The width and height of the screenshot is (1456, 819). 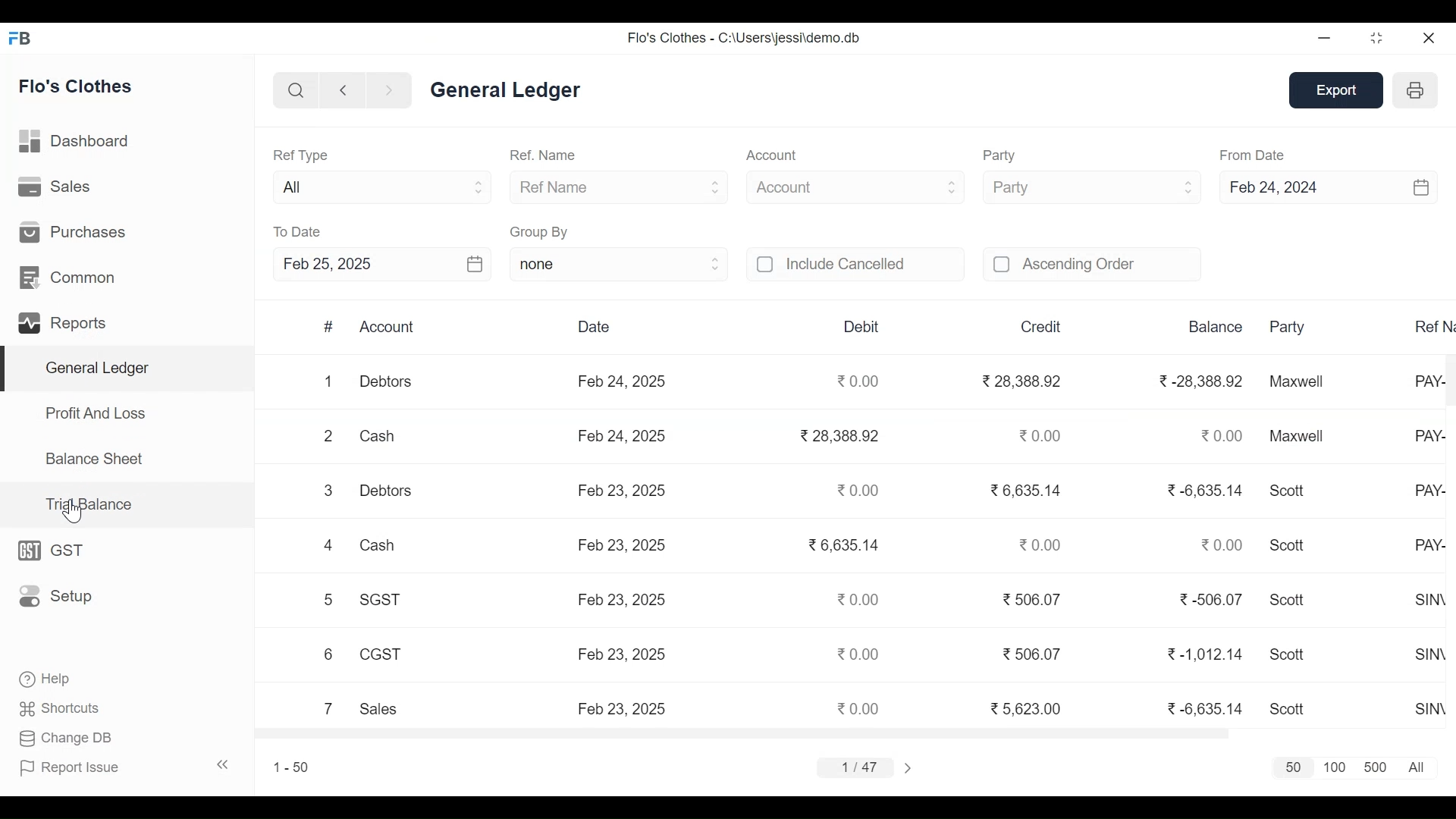 I want to click on Print, so click(x=1415, y=91).